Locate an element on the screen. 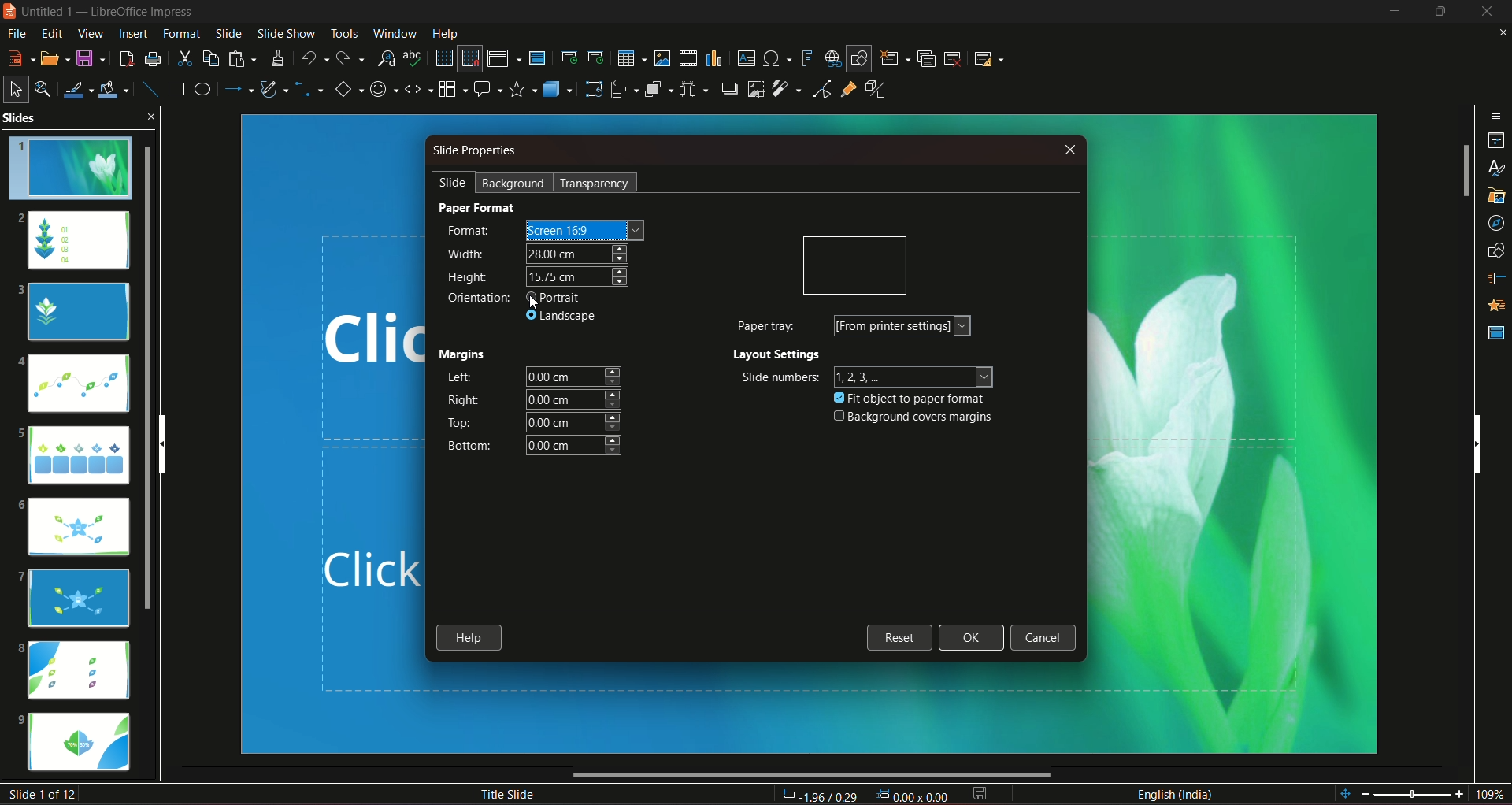 The width and height of the screenshot is (1512, 805). master slides  is located at coordinates (1495, 332).